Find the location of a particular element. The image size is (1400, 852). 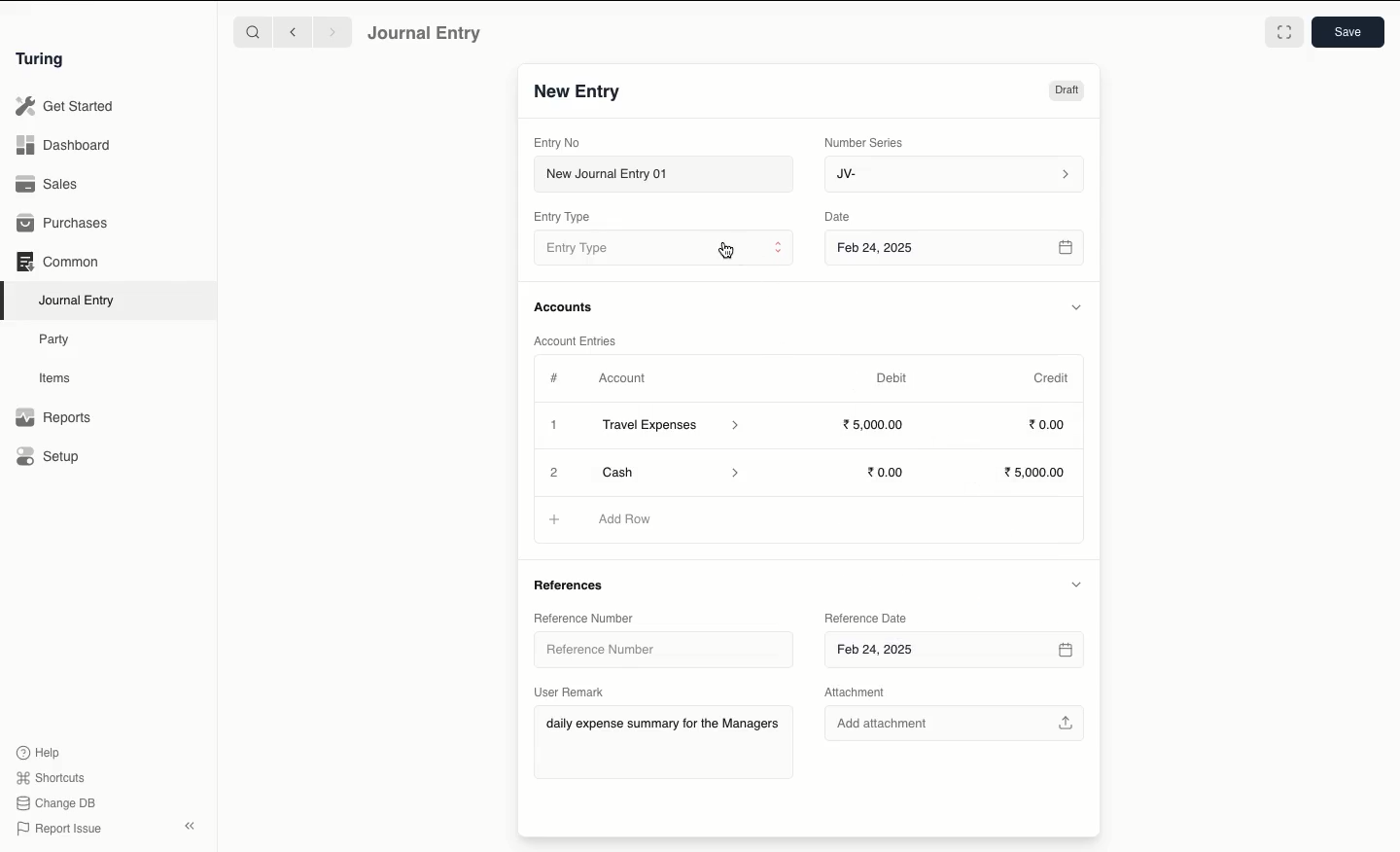

Toggle between form and full width is located at coordinates (1284, 32).